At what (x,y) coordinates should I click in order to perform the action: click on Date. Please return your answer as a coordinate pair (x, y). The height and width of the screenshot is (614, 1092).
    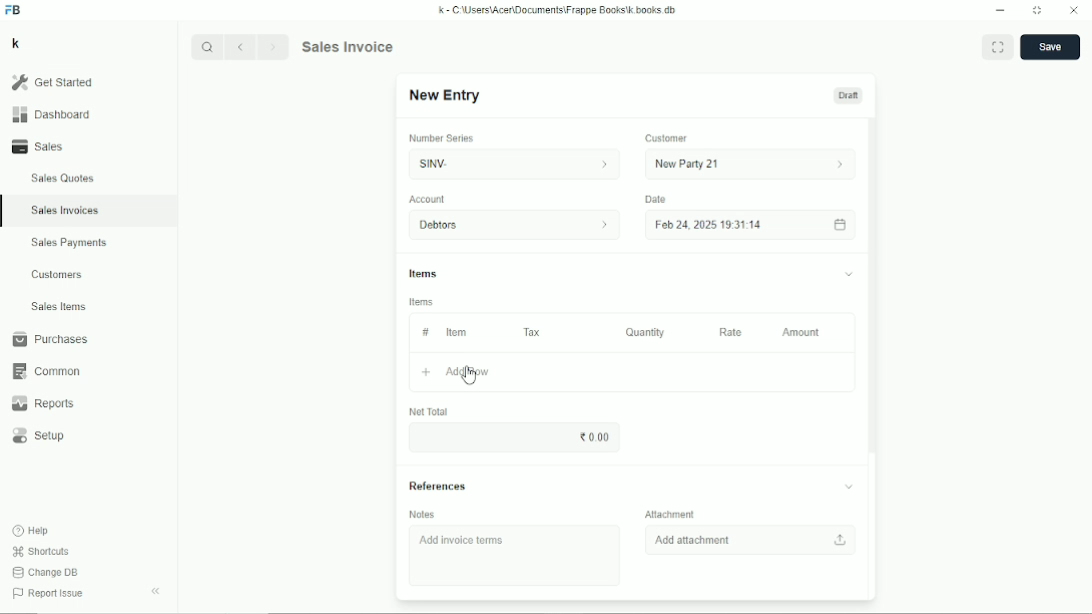
    Looking at the image, I should click on (655, 199).